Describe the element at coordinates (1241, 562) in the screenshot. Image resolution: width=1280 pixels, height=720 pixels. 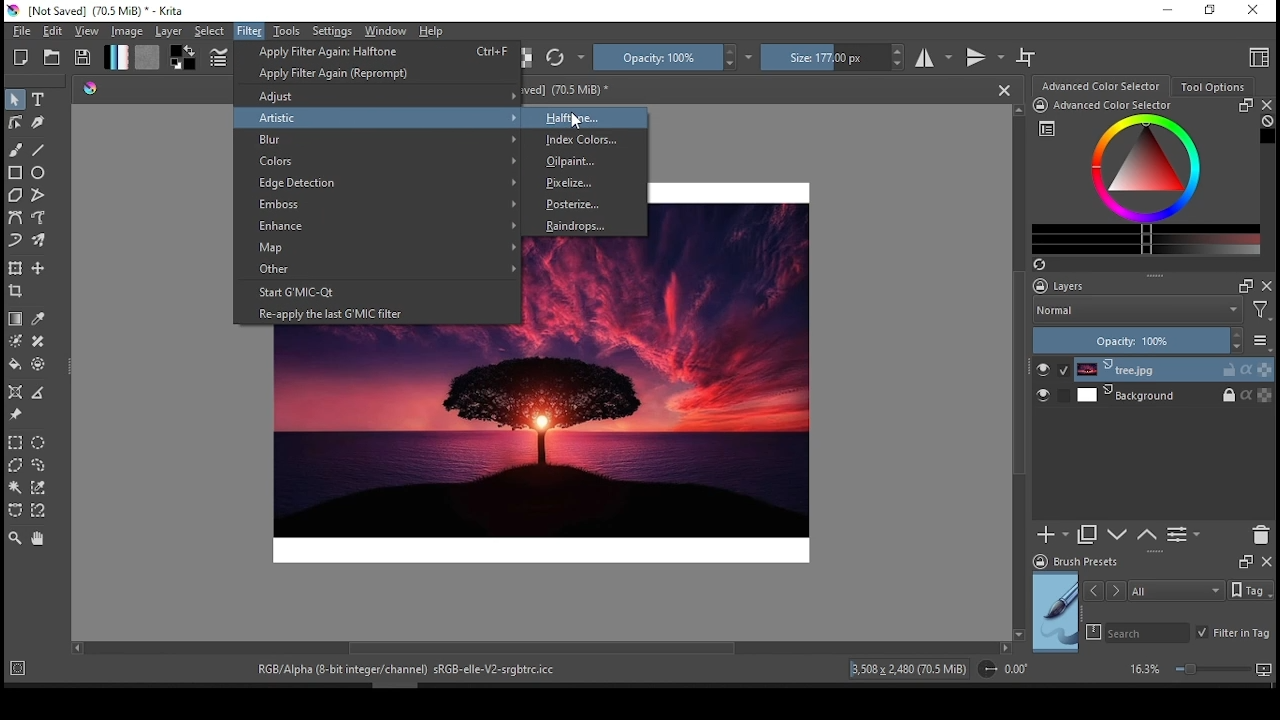
I see `Frame` at that location.